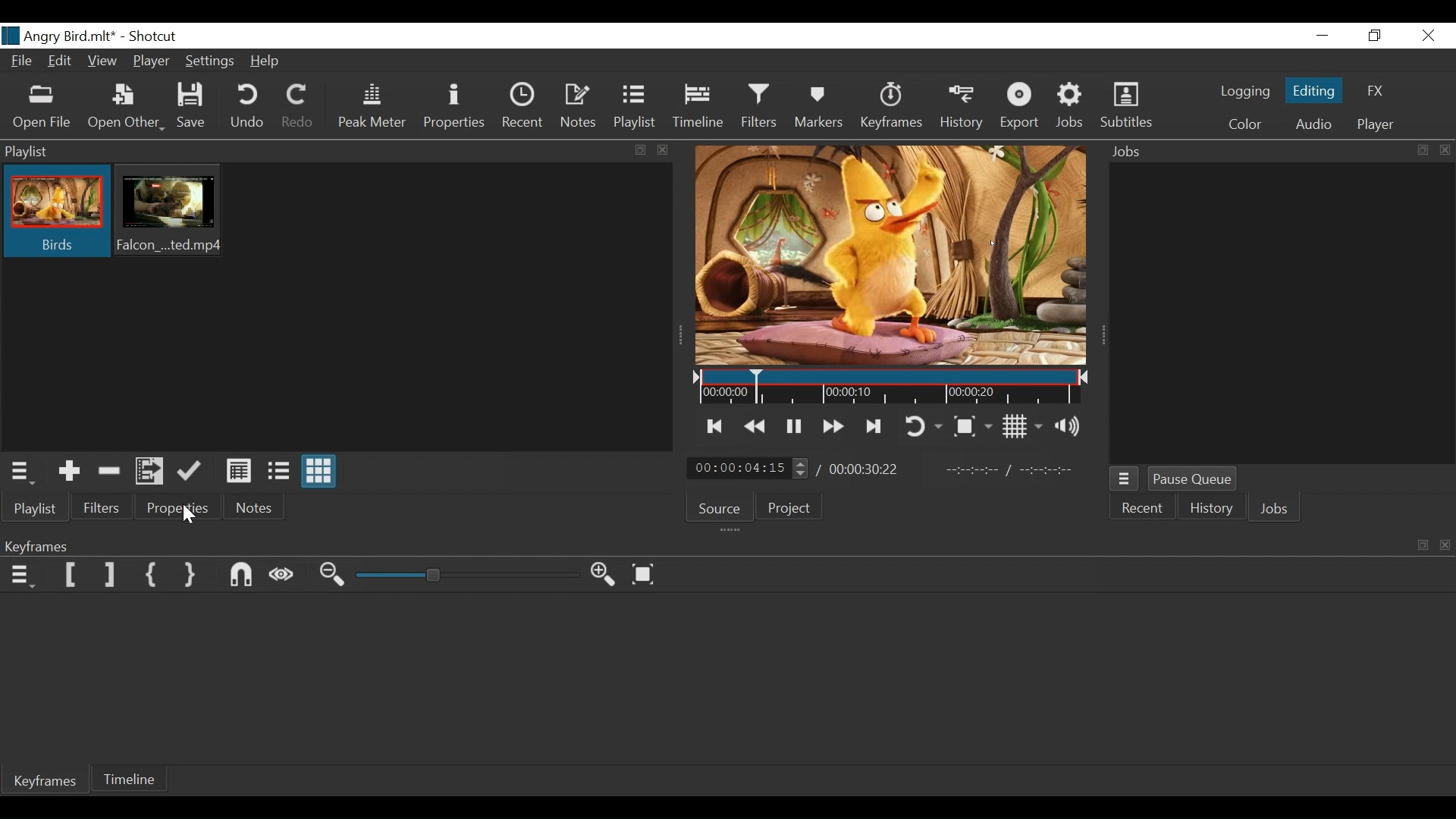 This screenshot has height=819, width=1456. What do you see at coordinates (1373, 127) in the screenshot?
I see `player` at bounding box center [1373, 127].